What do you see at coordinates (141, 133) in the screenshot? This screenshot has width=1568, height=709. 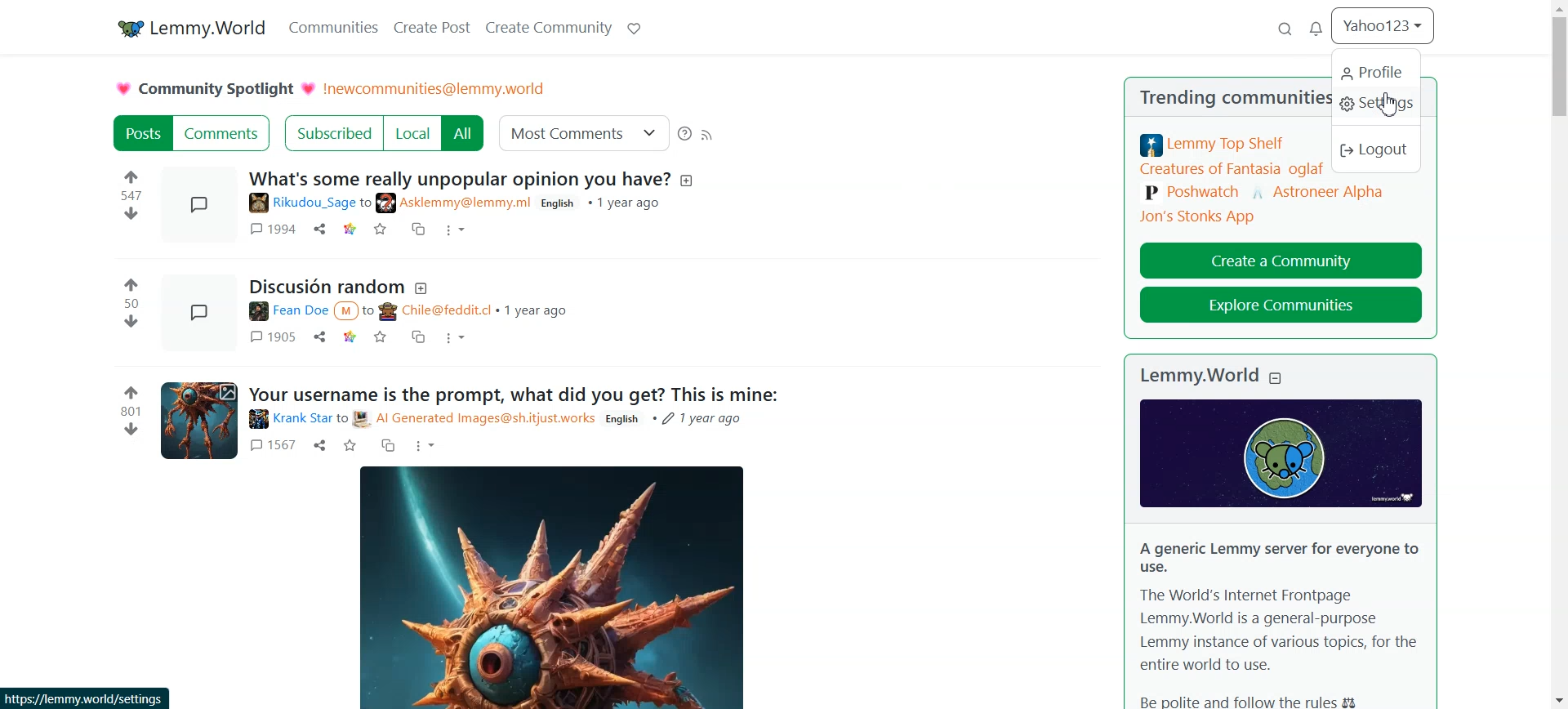 I see `Posts` at bounding box center [141, 133].